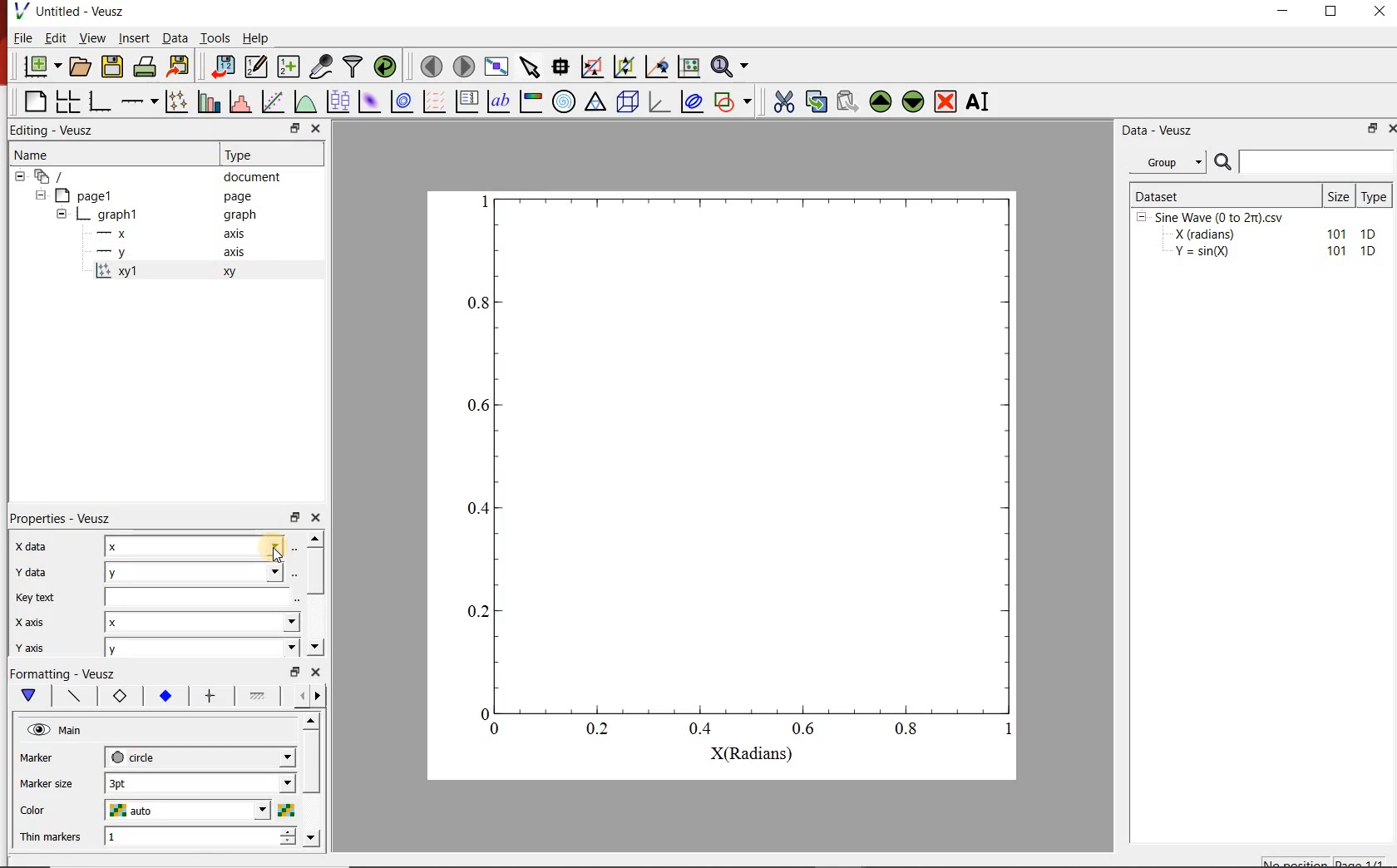 This screenshot has height=868, width=1397. I want to click on reload linked datasets, so click(388, 67).